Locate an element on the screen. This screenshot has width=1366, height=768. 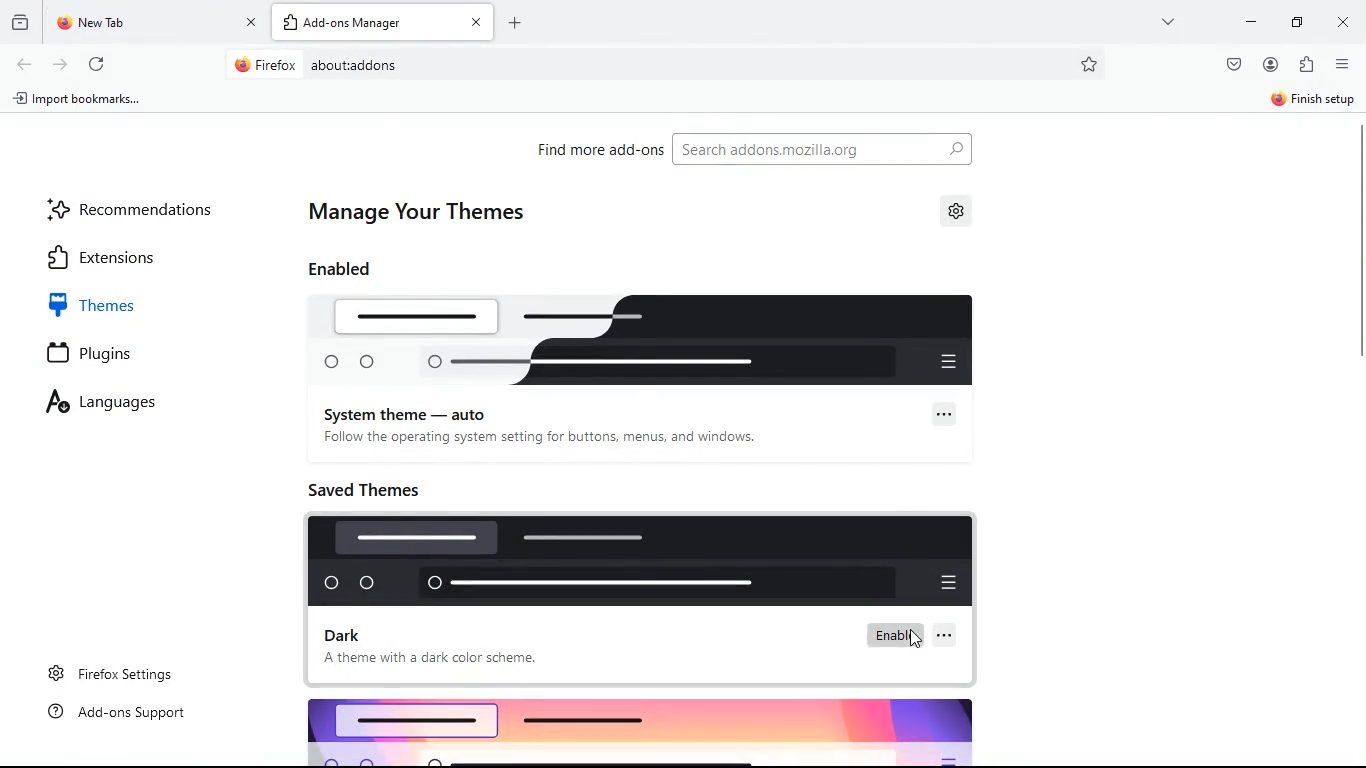
maximize is located at coordinates (1293, 24).